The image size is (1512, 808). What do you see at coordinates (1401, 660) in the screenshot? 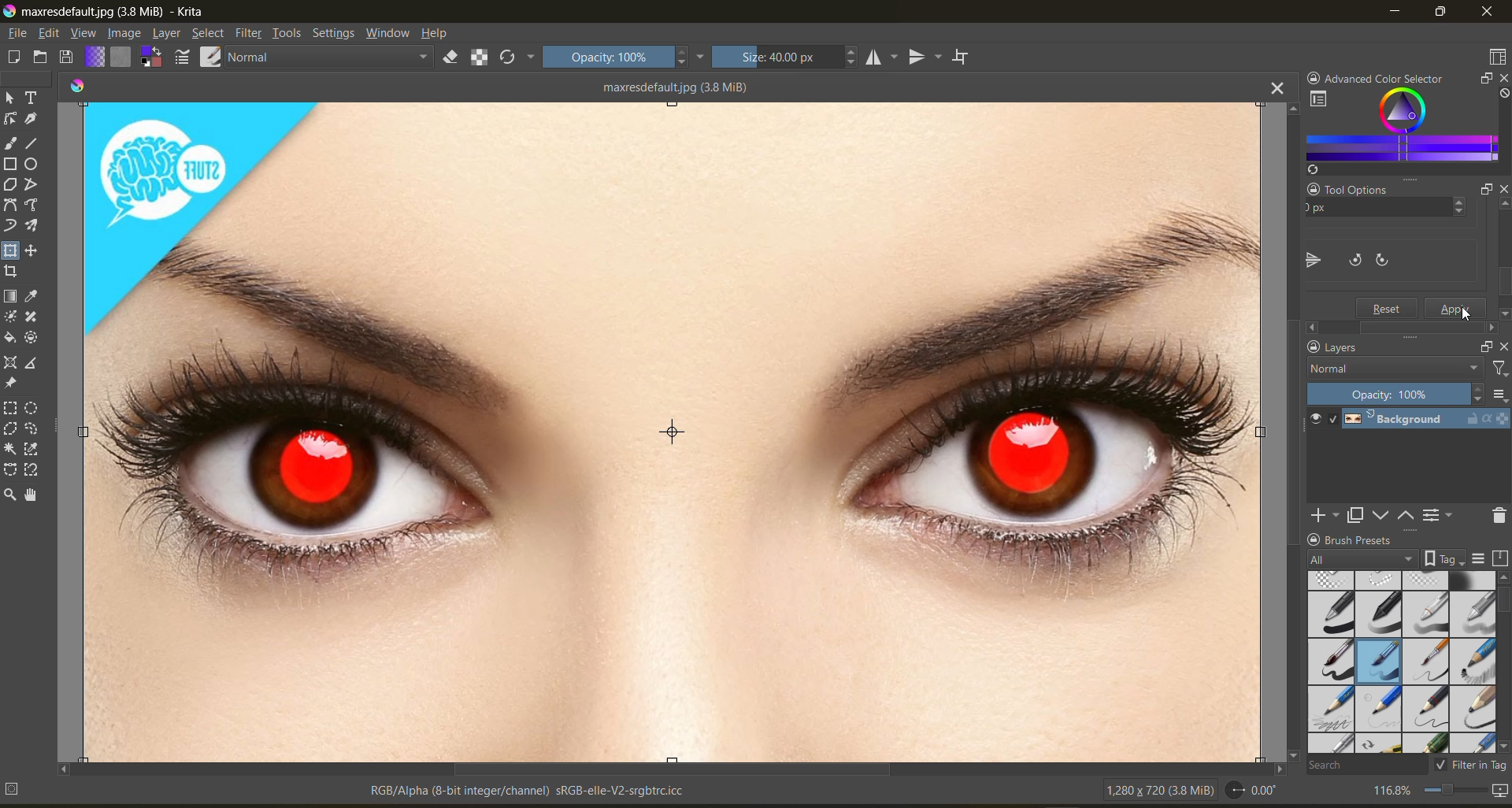
I see `brush presets` at bounding box center [1401, 660].